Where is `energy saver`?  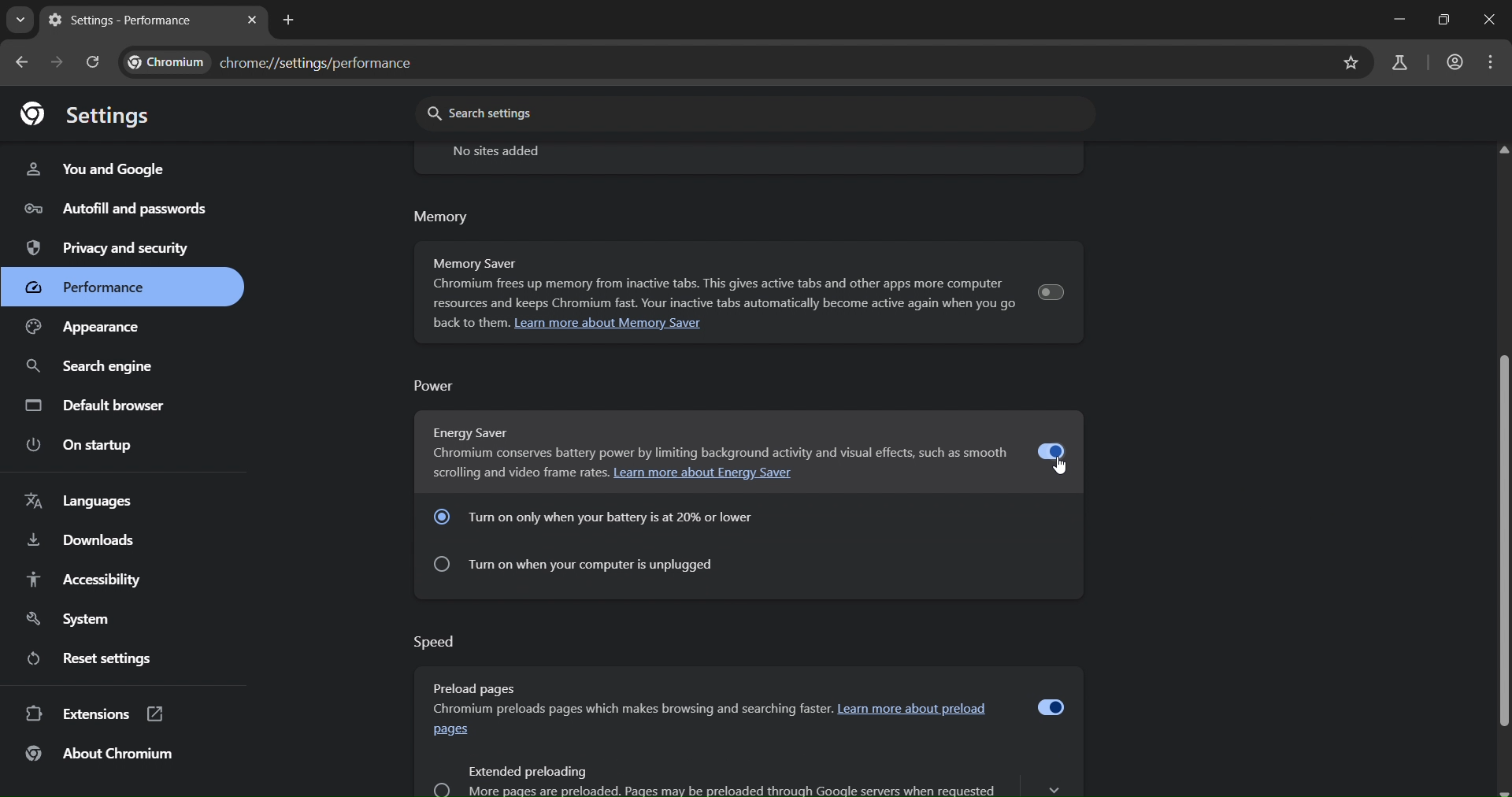
energy saver is located at coordinates (510, 432).